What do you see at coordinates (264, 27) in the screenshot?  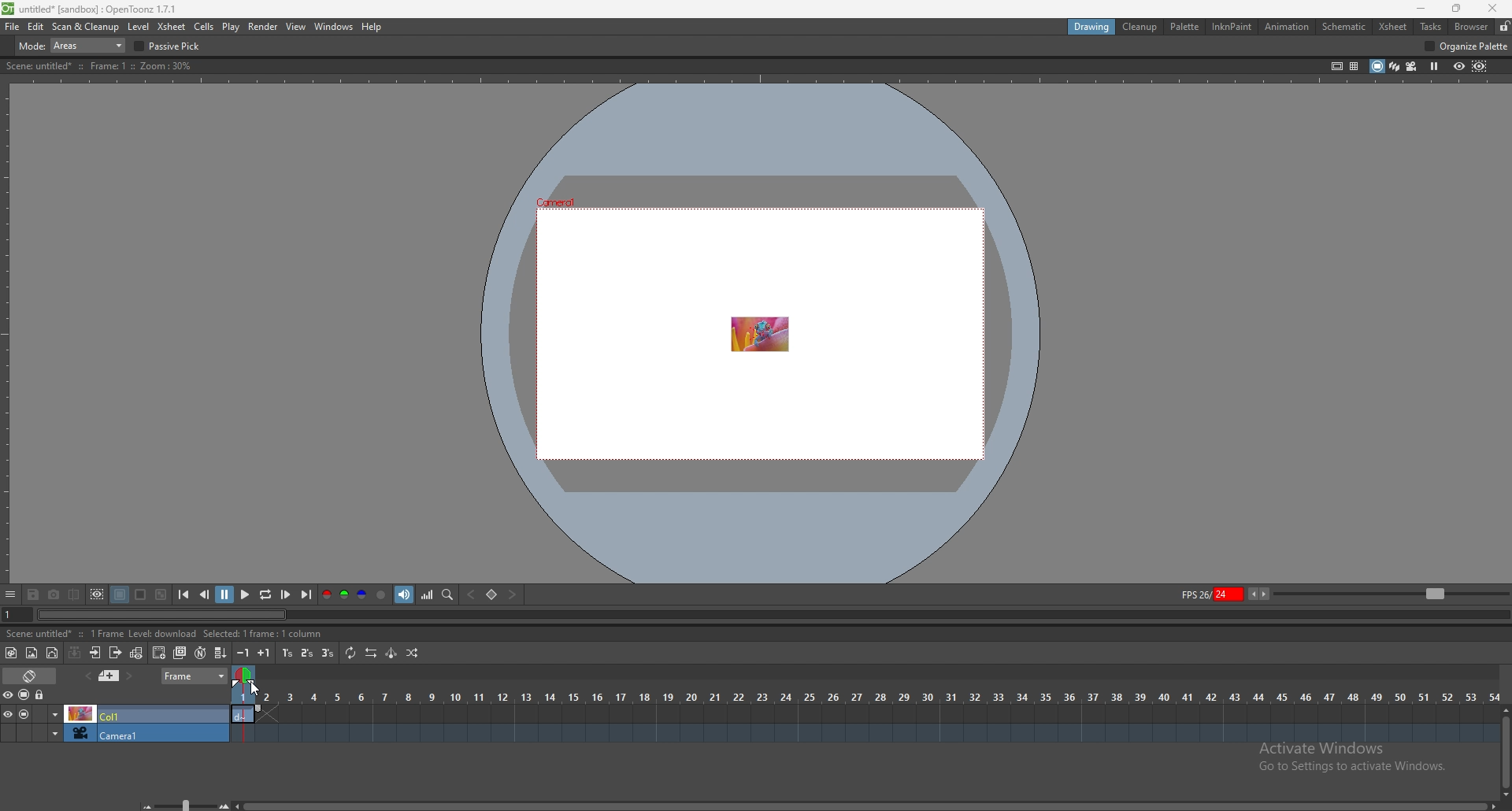 I see `render` at bounding box center [264, 27].